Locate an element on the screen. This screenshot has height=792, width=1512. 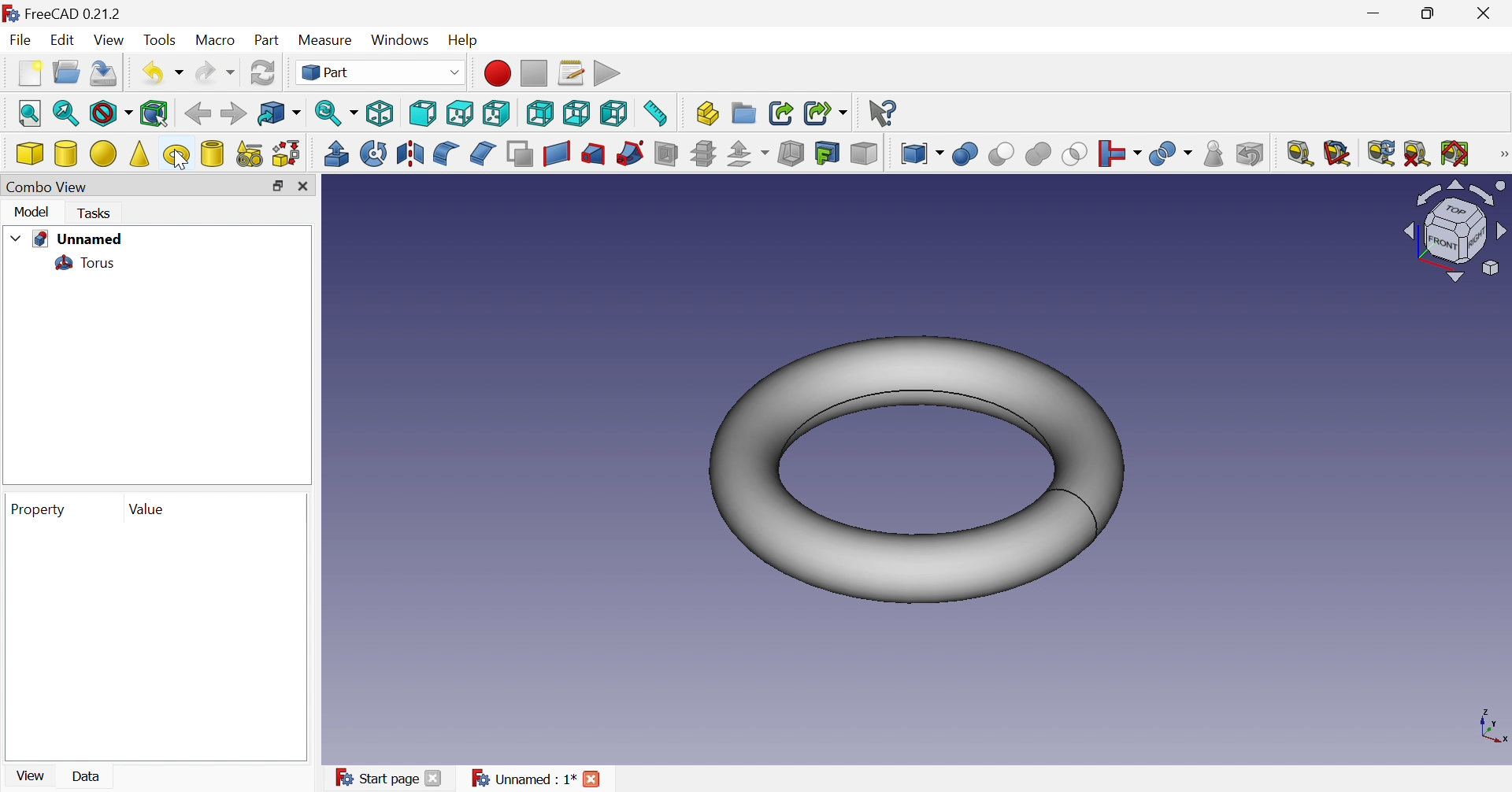
Mirroring... is located at coordinates (411, 156).